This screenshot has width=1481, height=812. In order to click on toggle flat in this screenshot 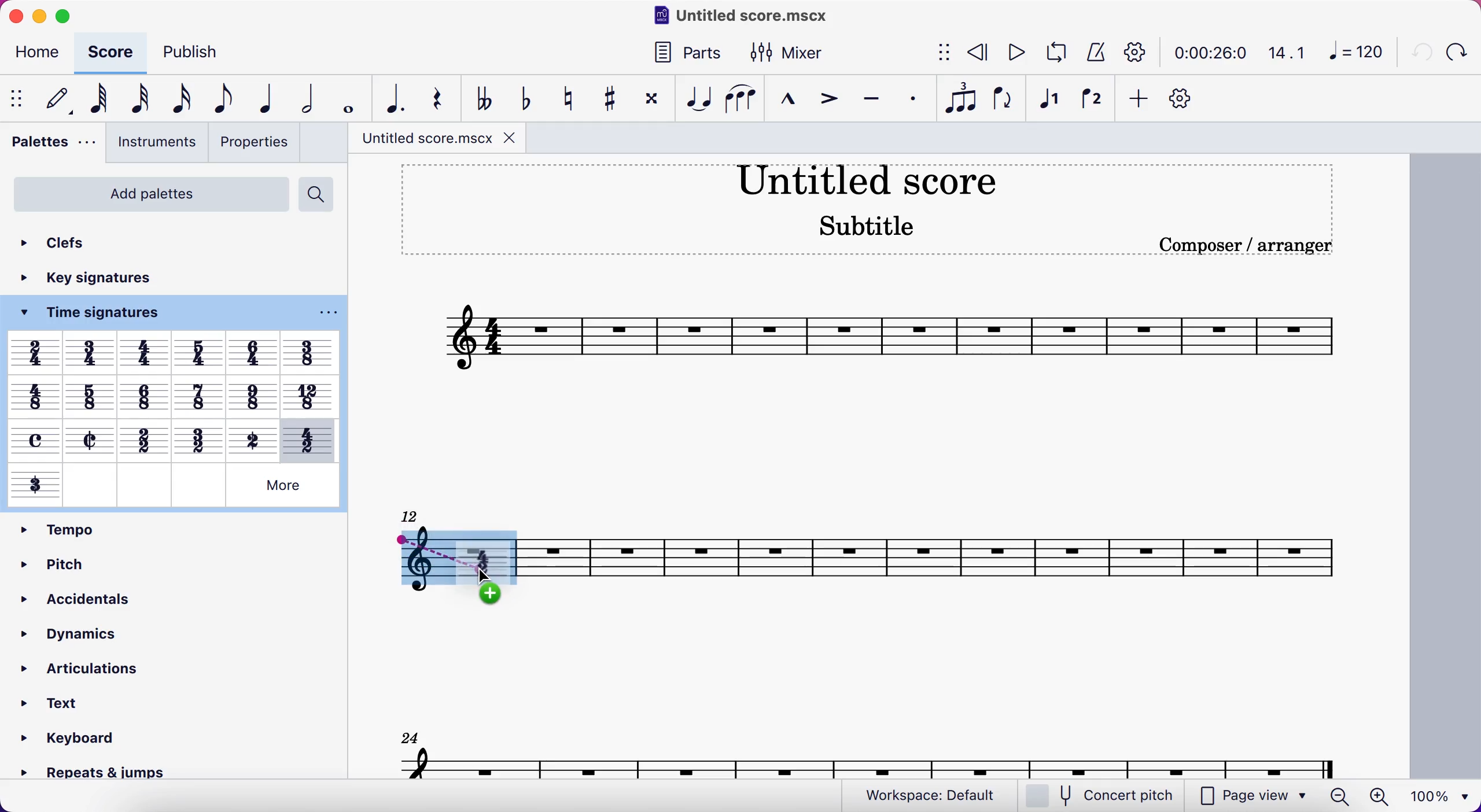, I will do `click(521, 97)`.